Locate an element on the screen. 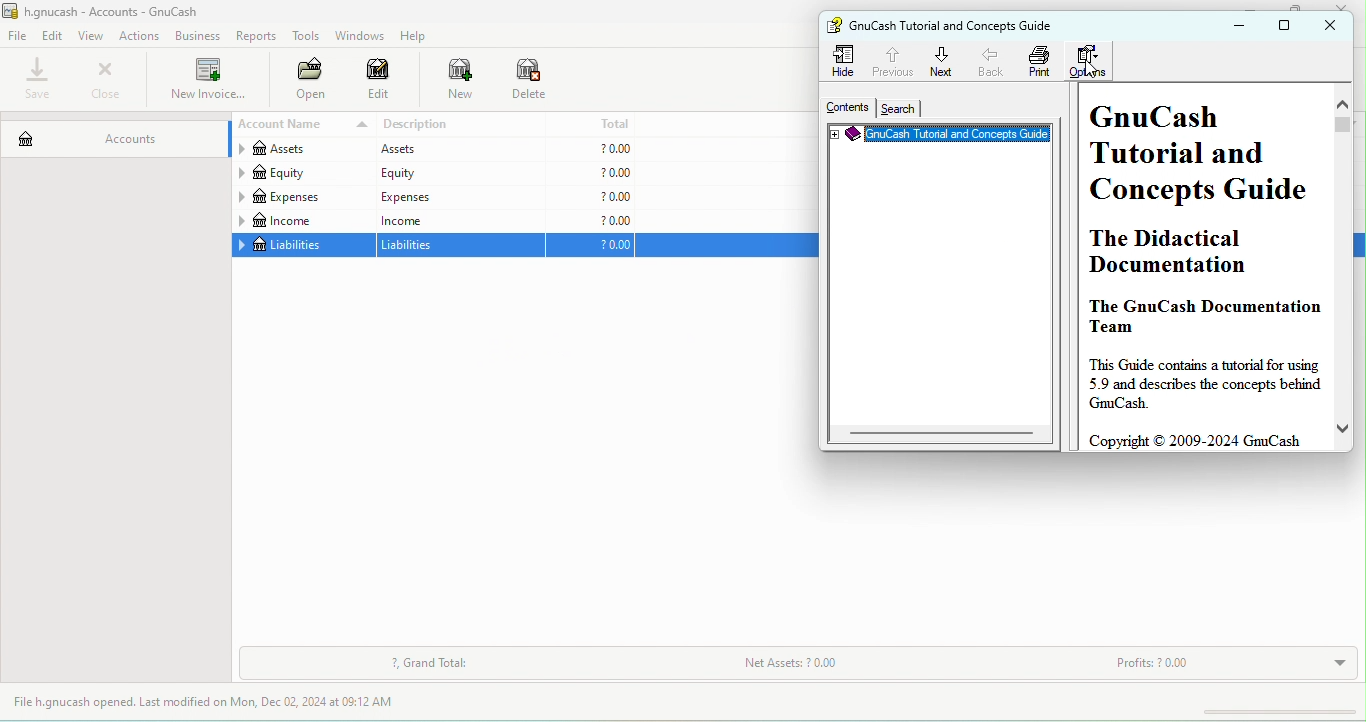 The height and width of the screenshot is (722, 1366). next is located at coordinates (942, 61).